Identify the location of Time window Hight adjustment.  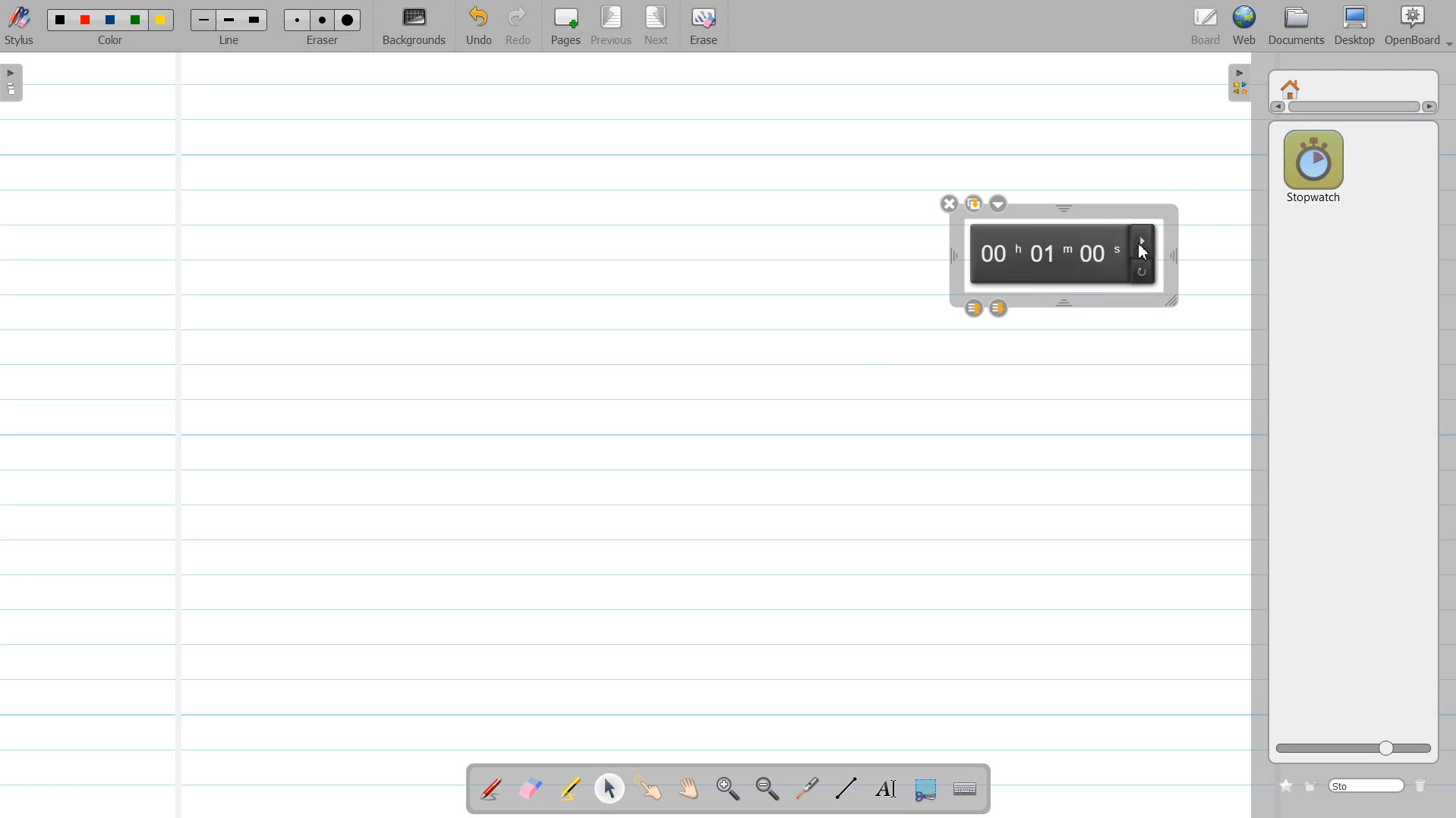
(1066, 303).